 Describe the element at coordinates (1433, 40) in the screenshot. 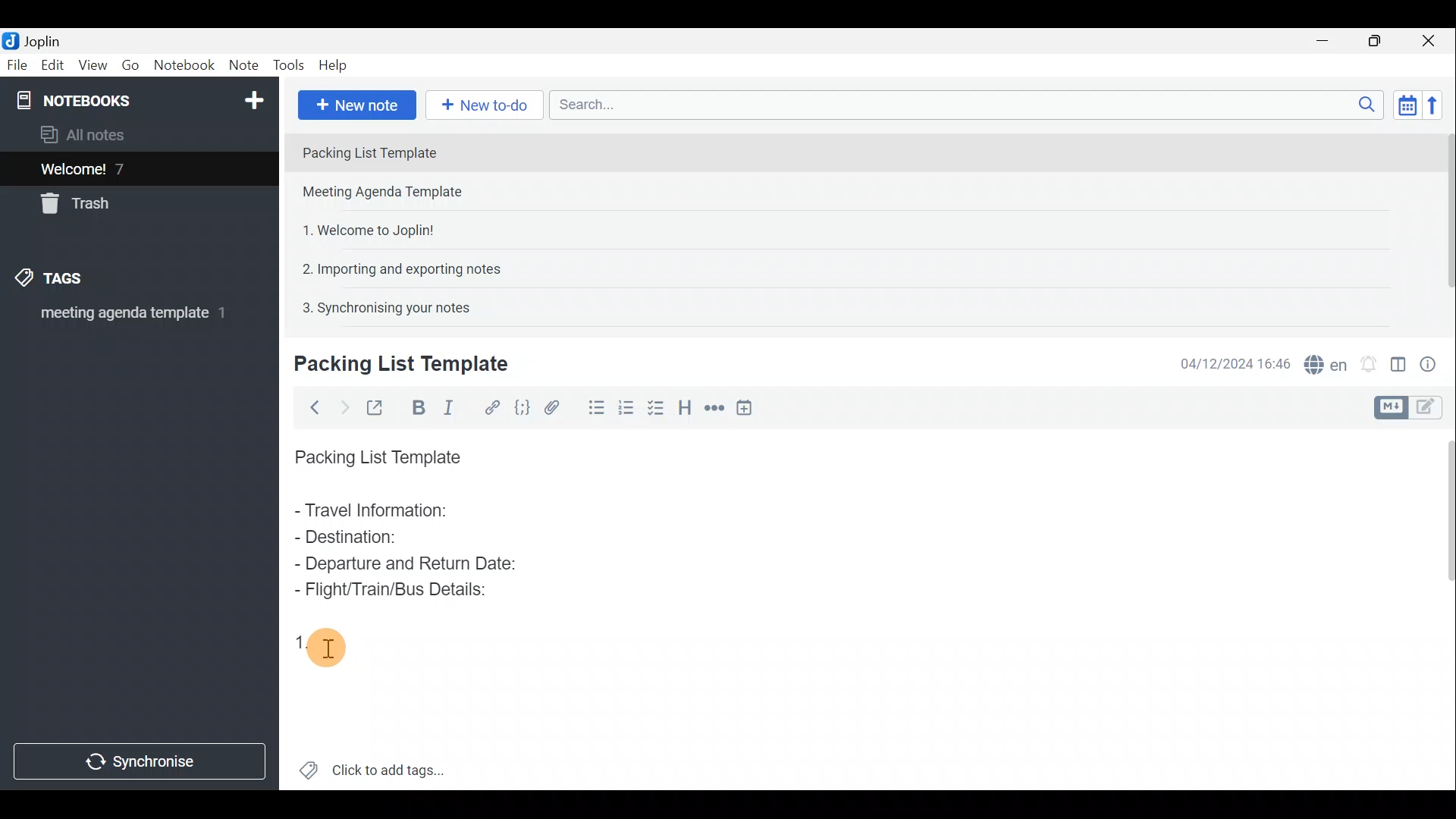

I see `Close` at that location.